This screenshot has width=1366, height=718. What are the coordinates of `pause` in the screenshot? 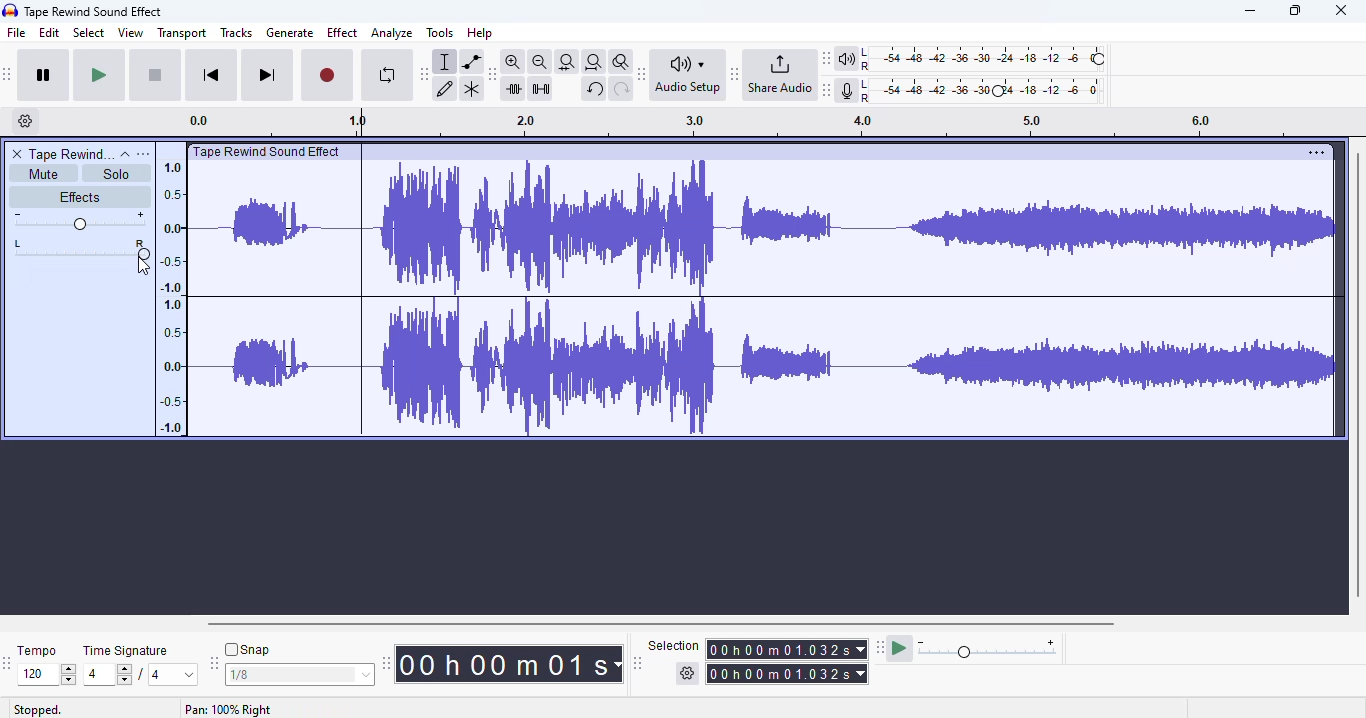 It's located at (44, 75).